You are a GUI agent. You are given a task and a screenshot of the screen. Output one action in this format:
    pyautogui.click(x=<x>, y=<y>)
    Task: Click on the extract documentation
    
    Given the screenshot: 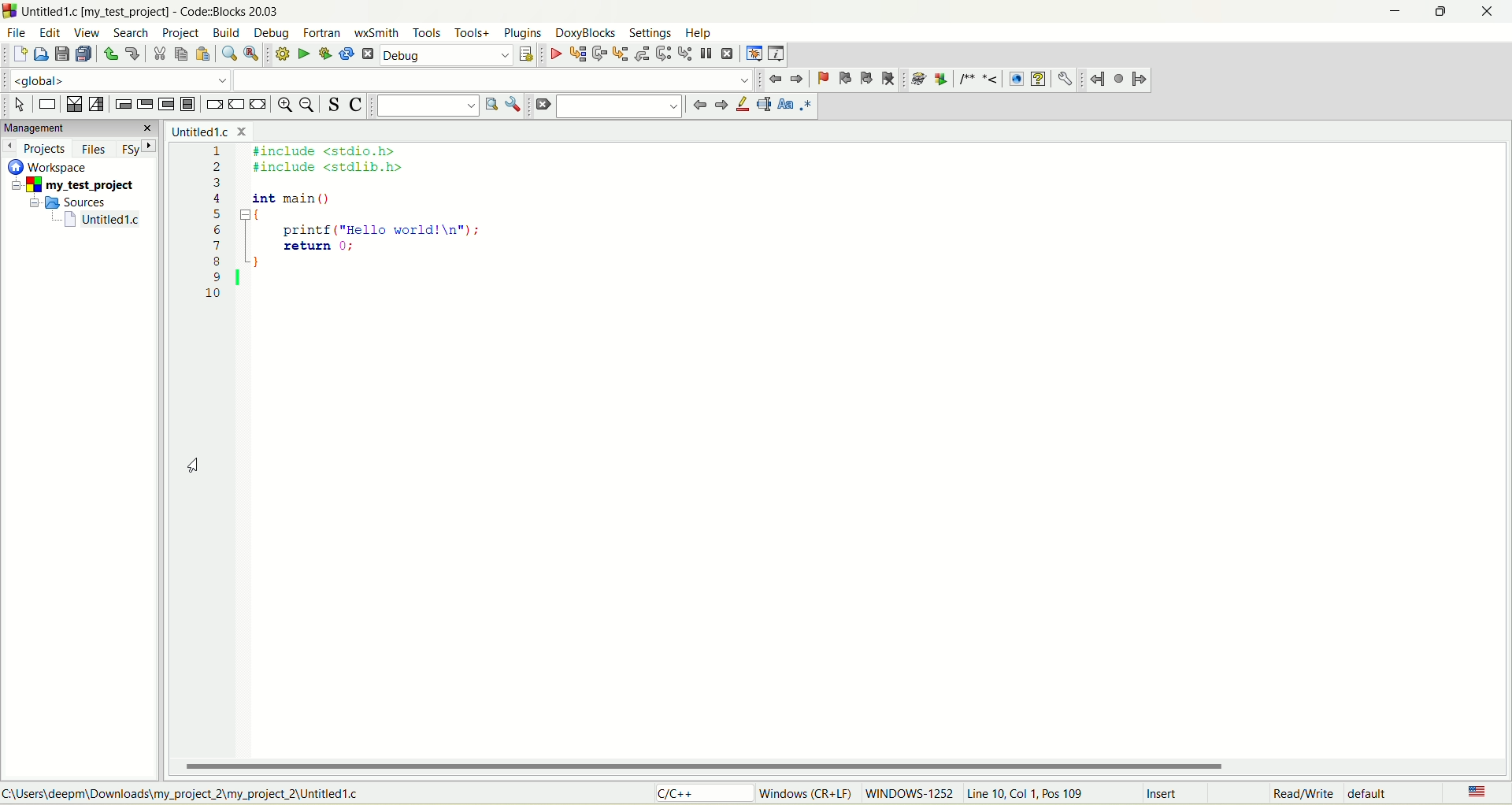 What is the action you would take?
    pyautogui.click(x=943, y=80)
    